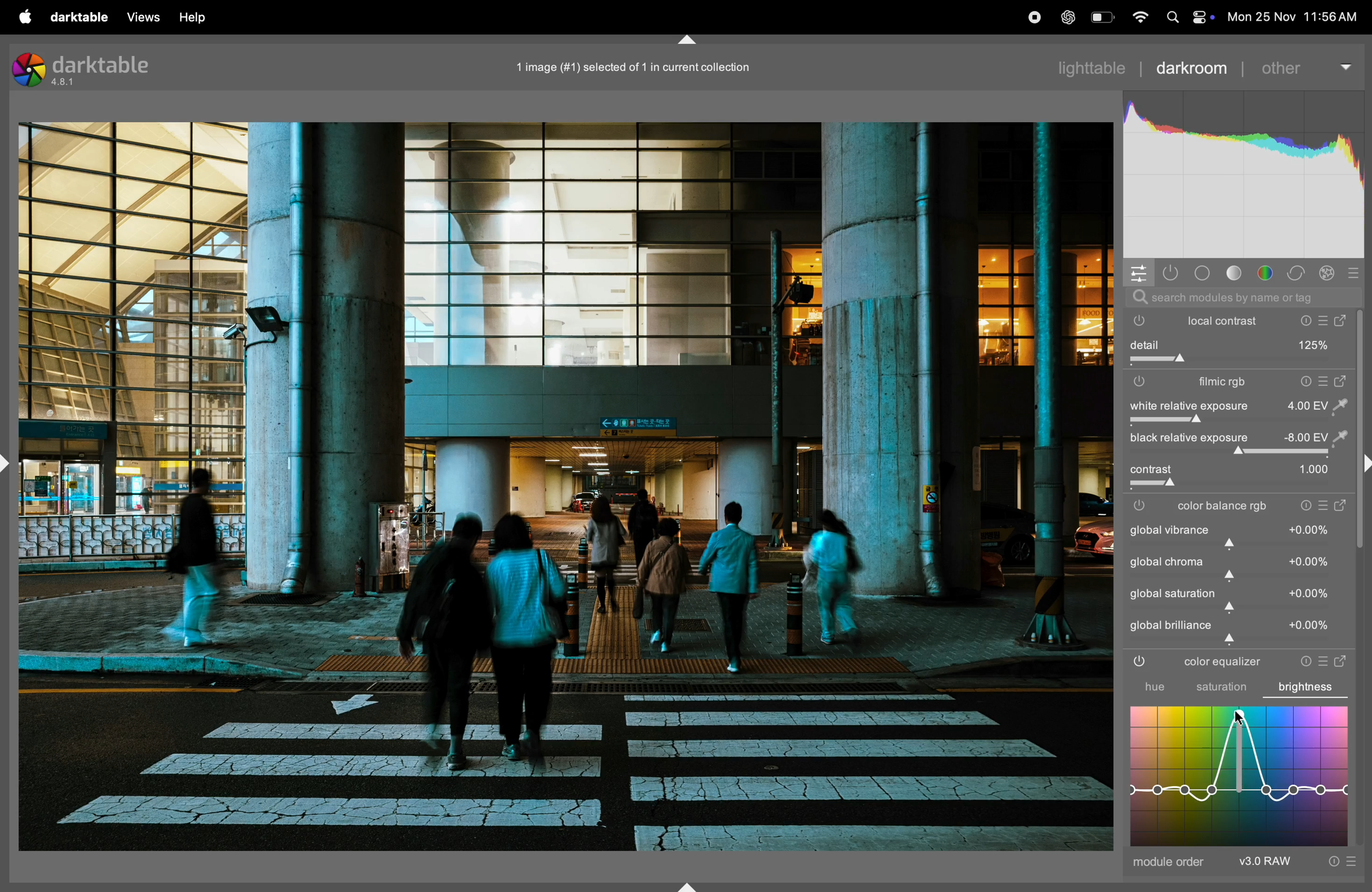 The height and width of the screenshot is (892, 1372). What do you see at coordinates (1311, 685) in the screenshot?
I see `brightness` at bounding box center [1311, 685].